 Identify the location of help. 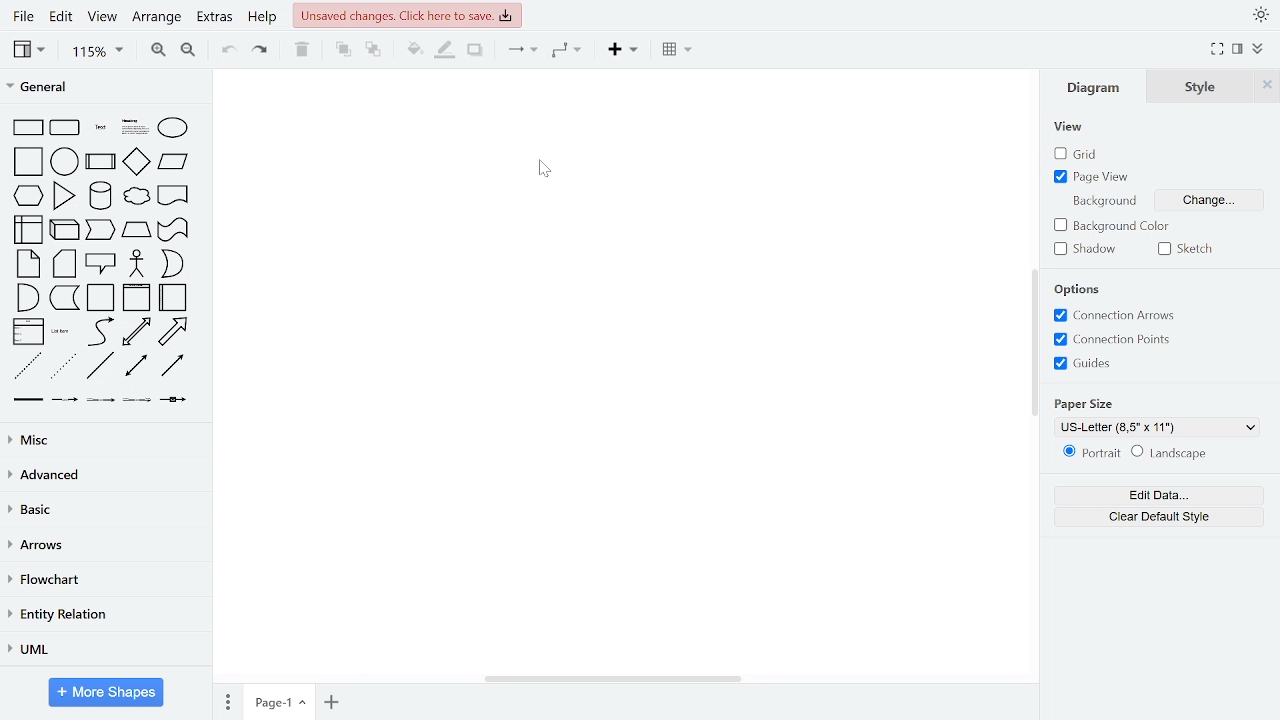
(266, 18).